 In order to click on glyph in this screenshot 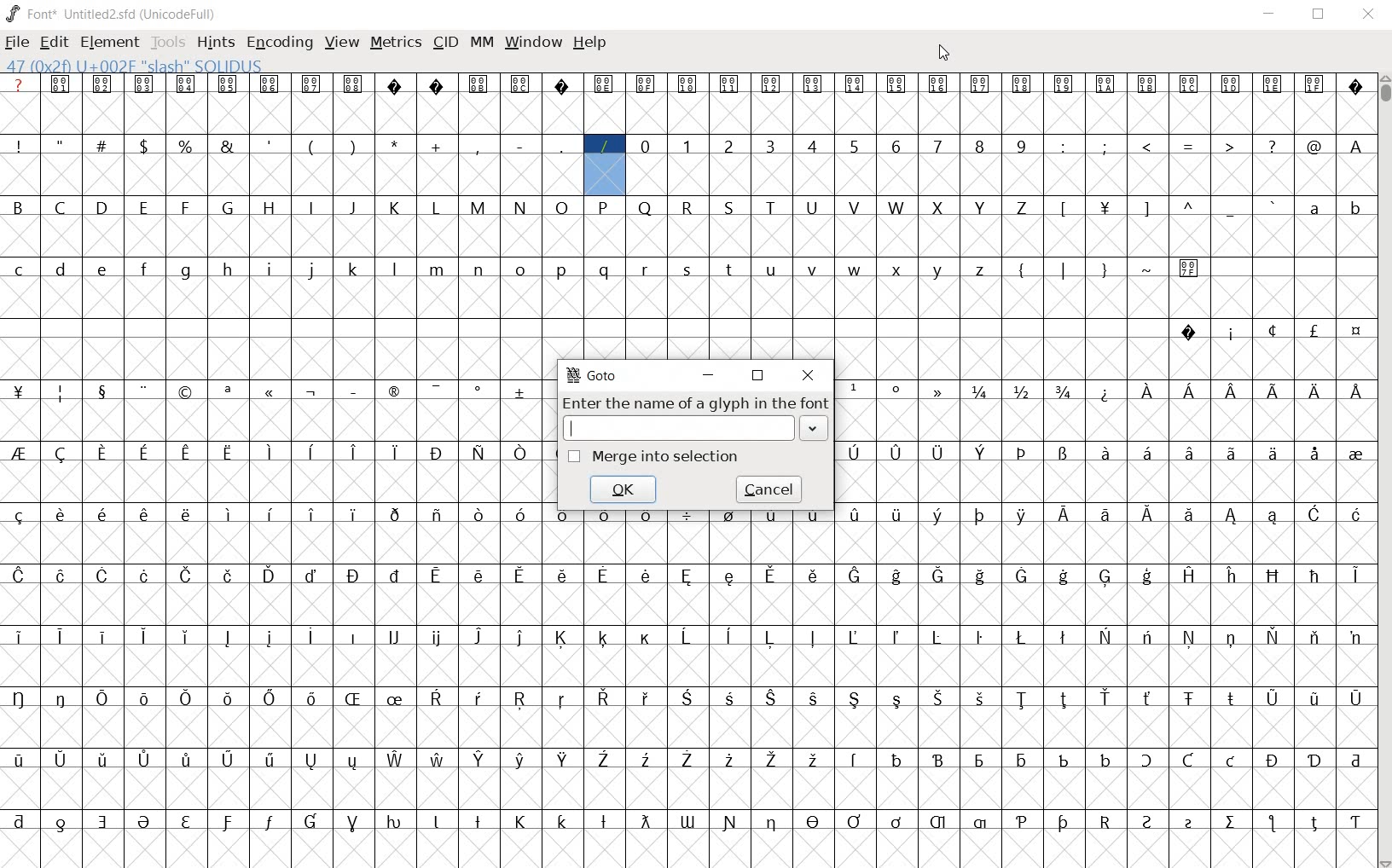, I will do `click(604, 207)`.